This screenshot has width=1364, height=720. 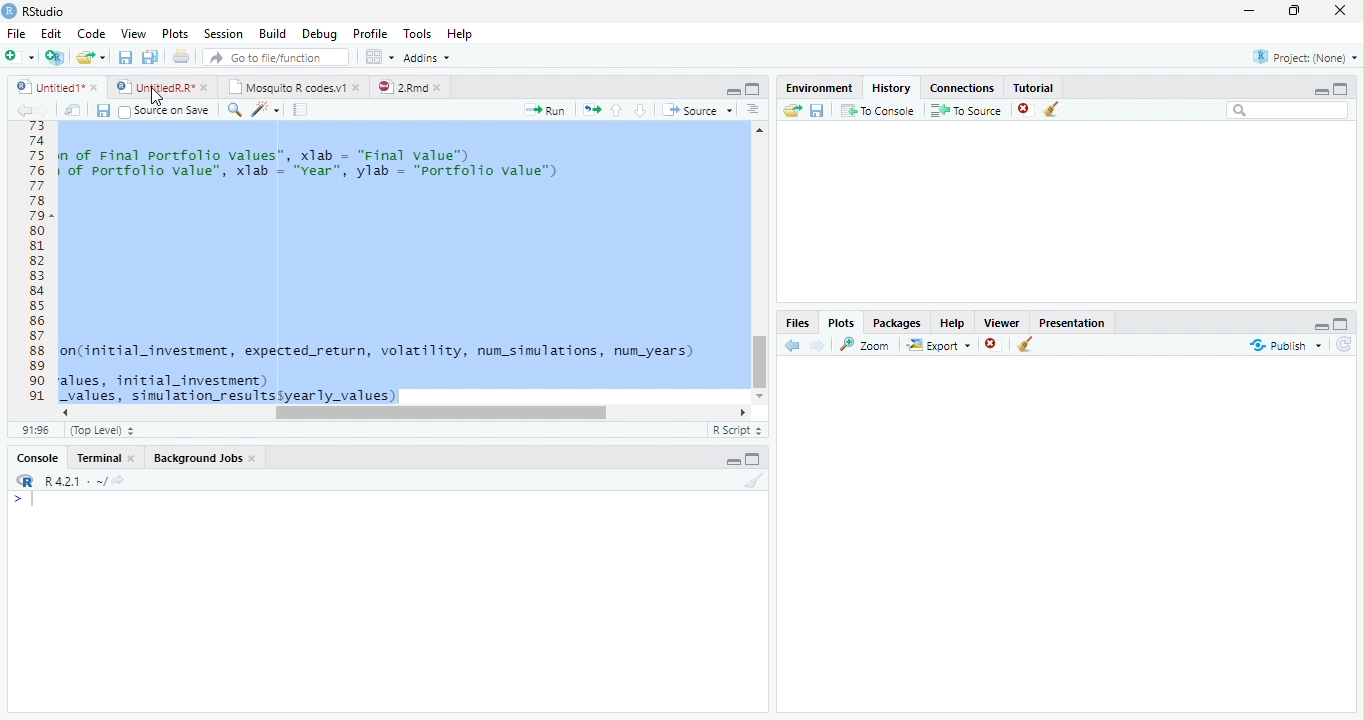 I want to click on To Source, so click(x=966, y=110).